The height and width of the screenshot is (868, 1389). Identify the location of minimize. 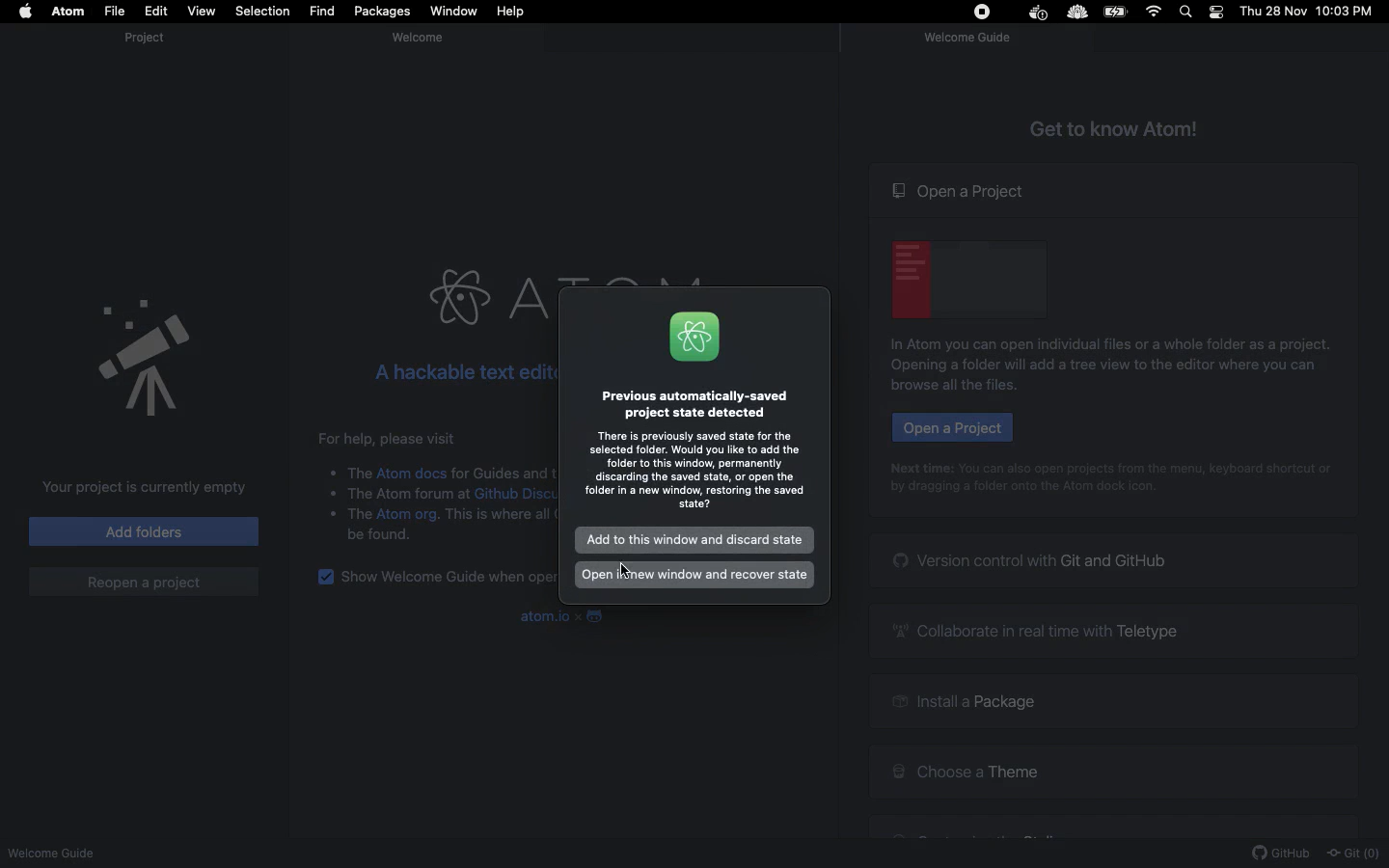
(34, 37).